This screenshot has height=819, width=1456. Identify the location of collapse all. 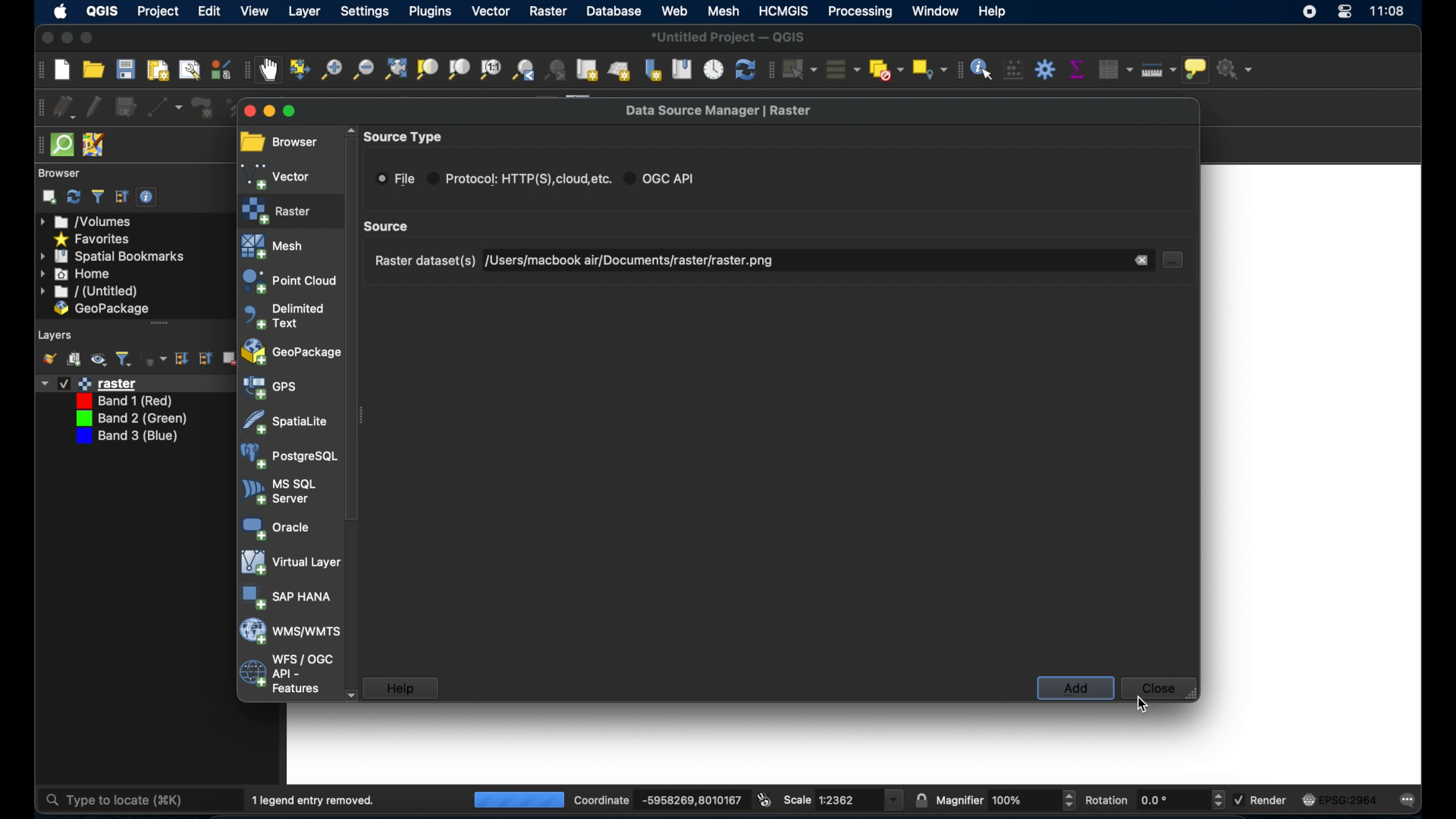
(208, 358).